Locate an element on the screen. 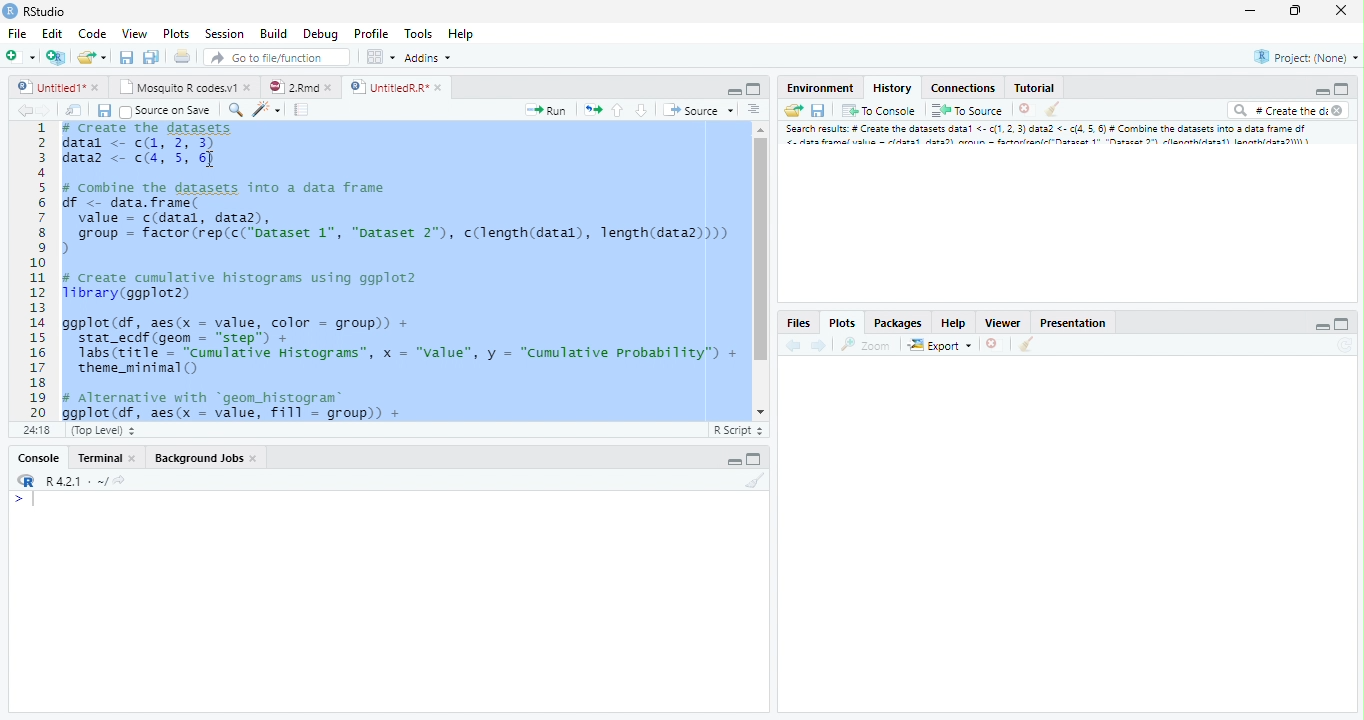 The image size is (1364, 720). Project (None) is located at coordinates (1308, 57).